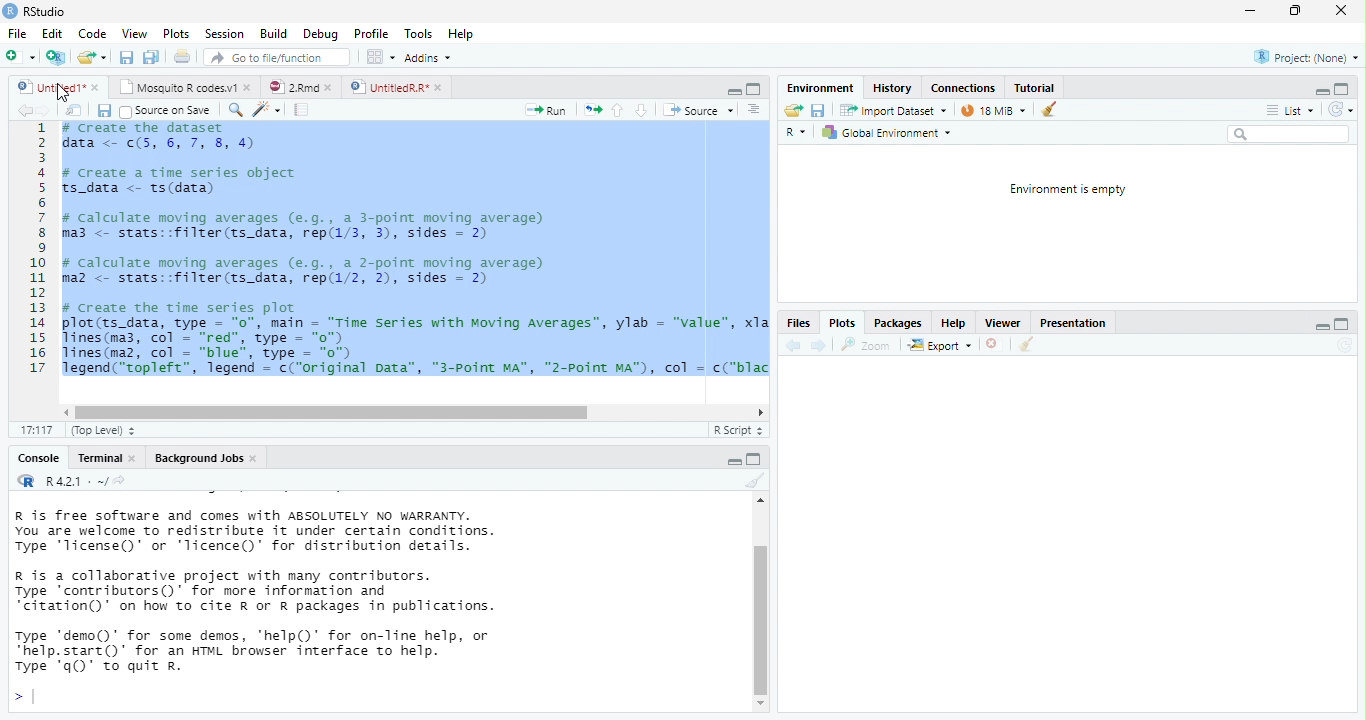 This screenshot has height=720, width=1366. I want to click on Connections, so click(962, 88).